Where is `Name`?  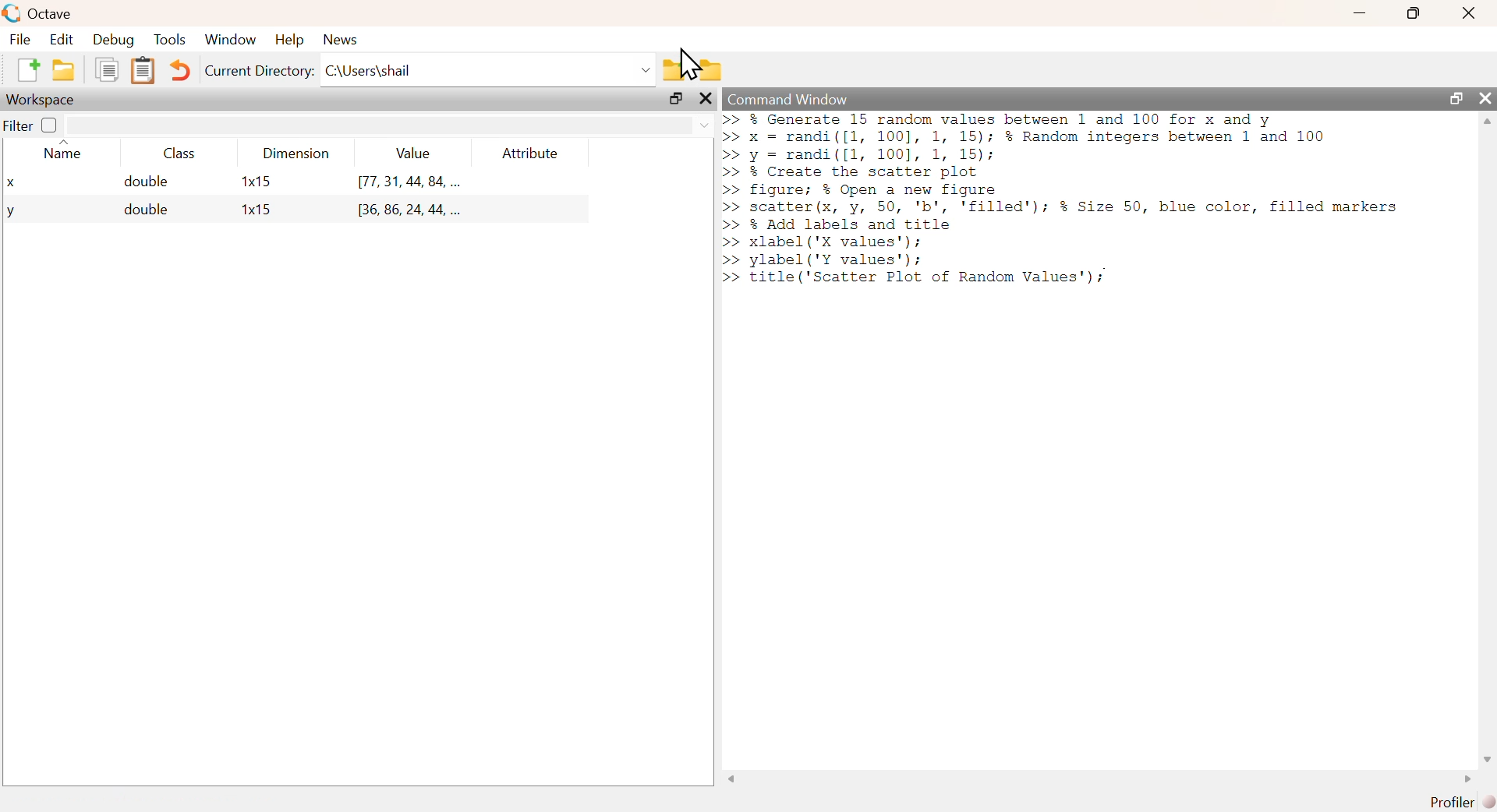
Name is located at coordinates (65, 151).